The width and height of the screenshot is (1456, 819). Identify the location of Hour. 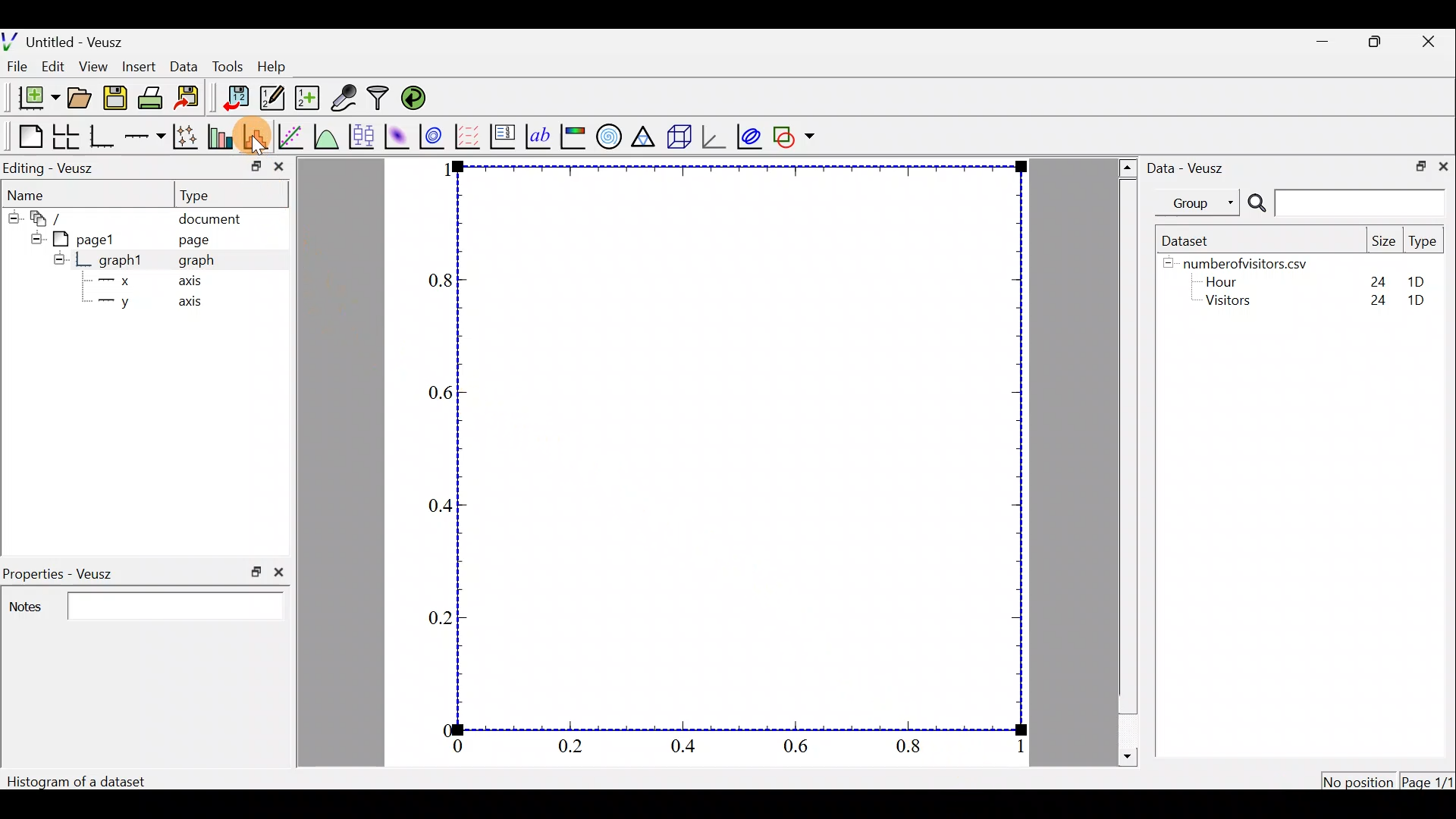
(1228, 281).